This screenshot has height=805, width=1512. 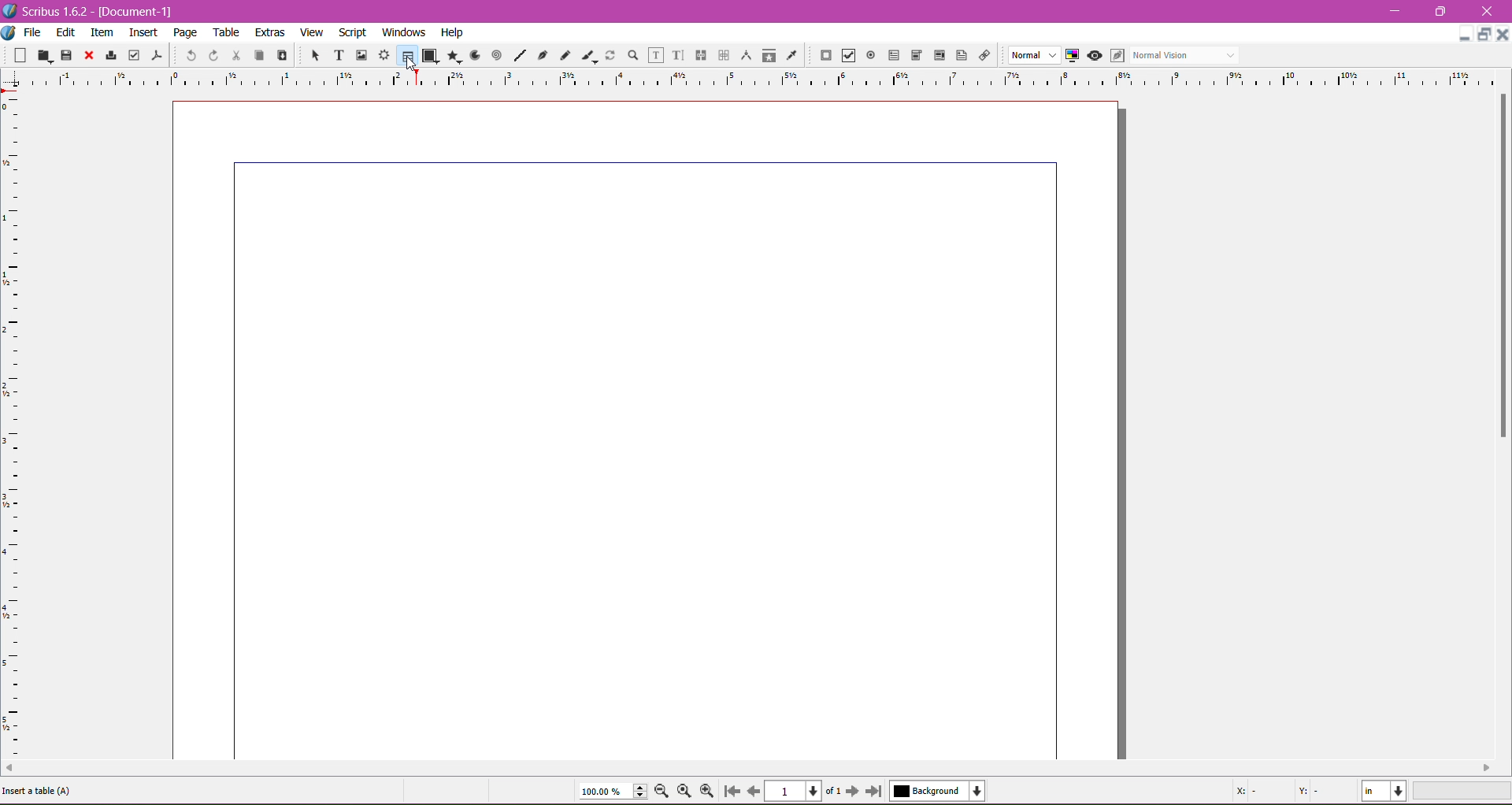 What do you see at coordinates (613, 792) in the screenshot?
I see `100.00 %` at bounding box center [613, 792].